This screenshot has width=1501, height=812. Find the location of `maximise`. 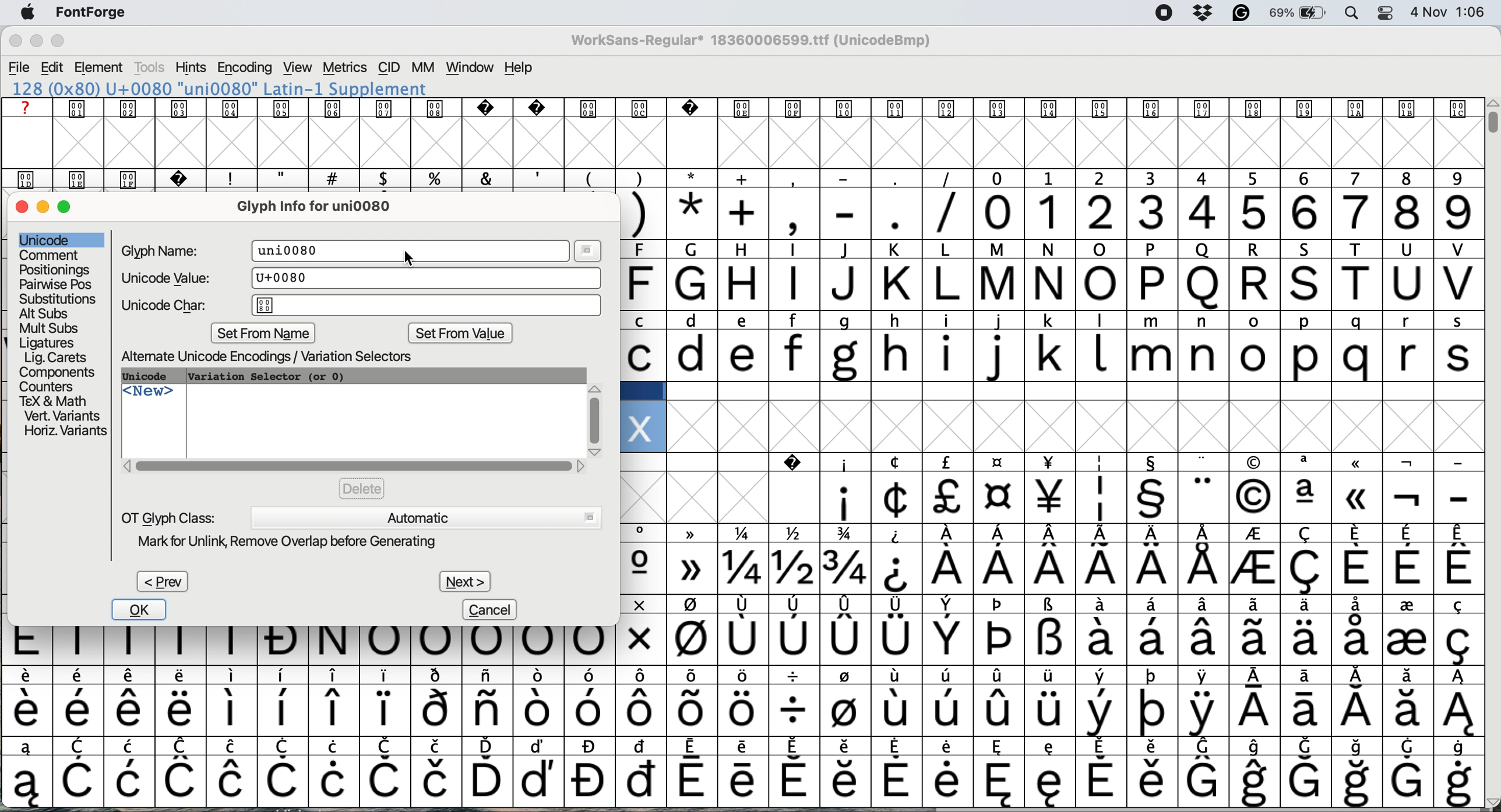

maximise is located at coordinates (65, 43).